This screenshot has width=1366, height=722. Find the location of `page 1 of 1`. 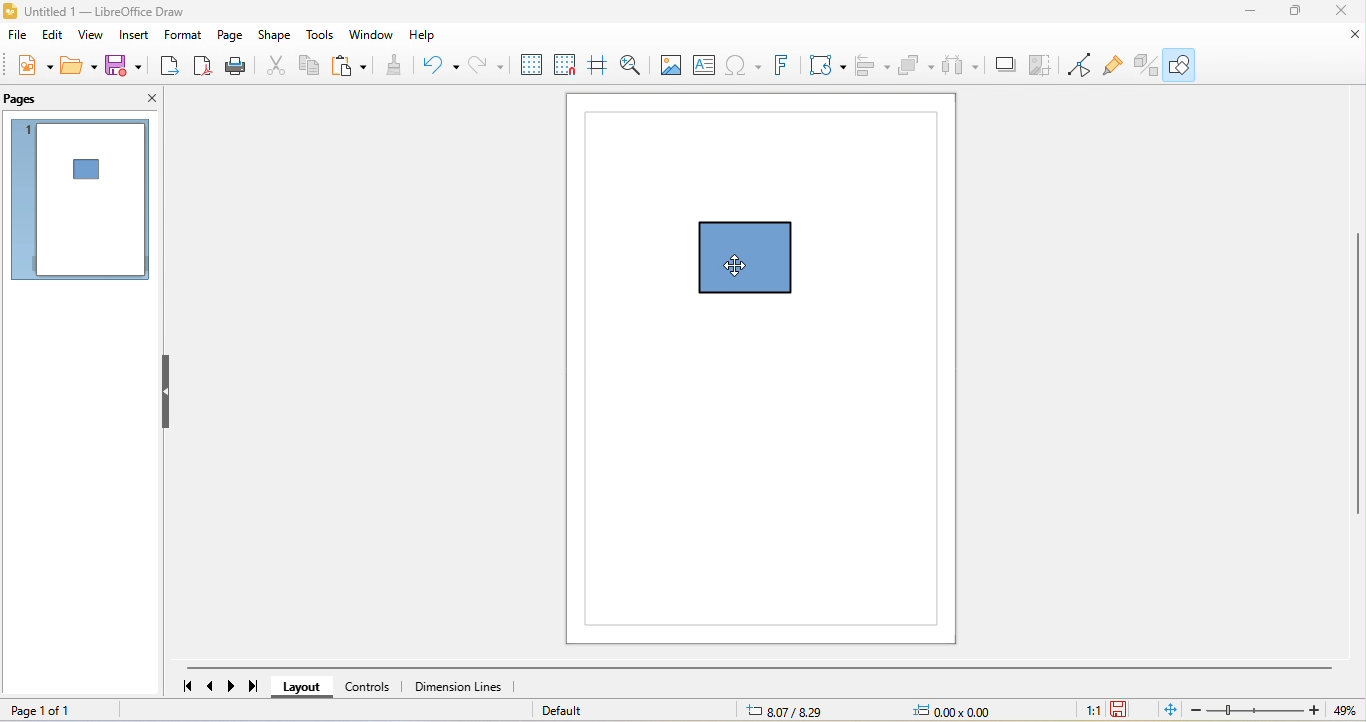

page 1 of 1 is located at coordinates (68, 711).